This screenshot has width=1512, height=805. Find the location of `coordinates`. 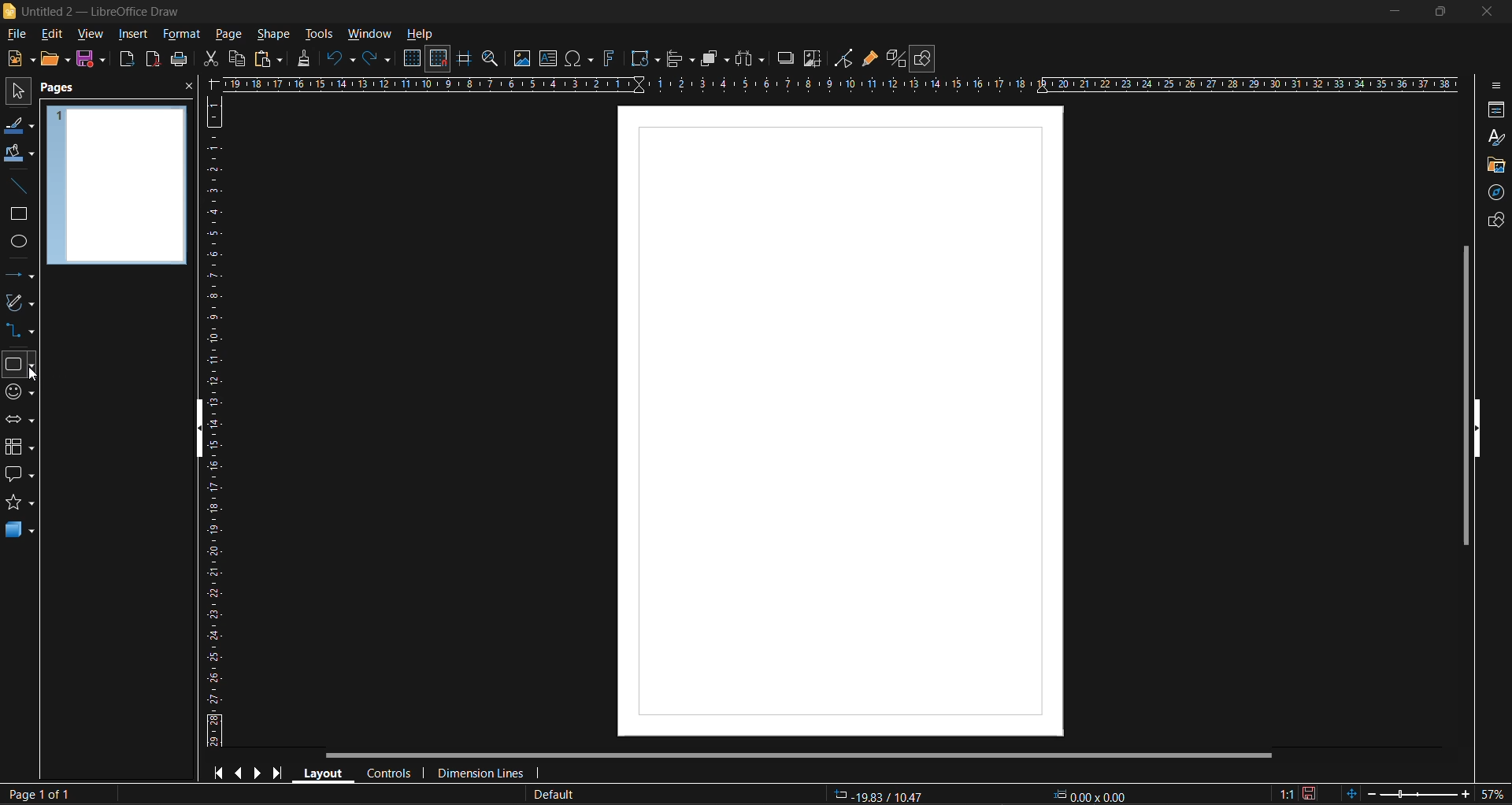

coordinates is located at coordinates (978, 796).